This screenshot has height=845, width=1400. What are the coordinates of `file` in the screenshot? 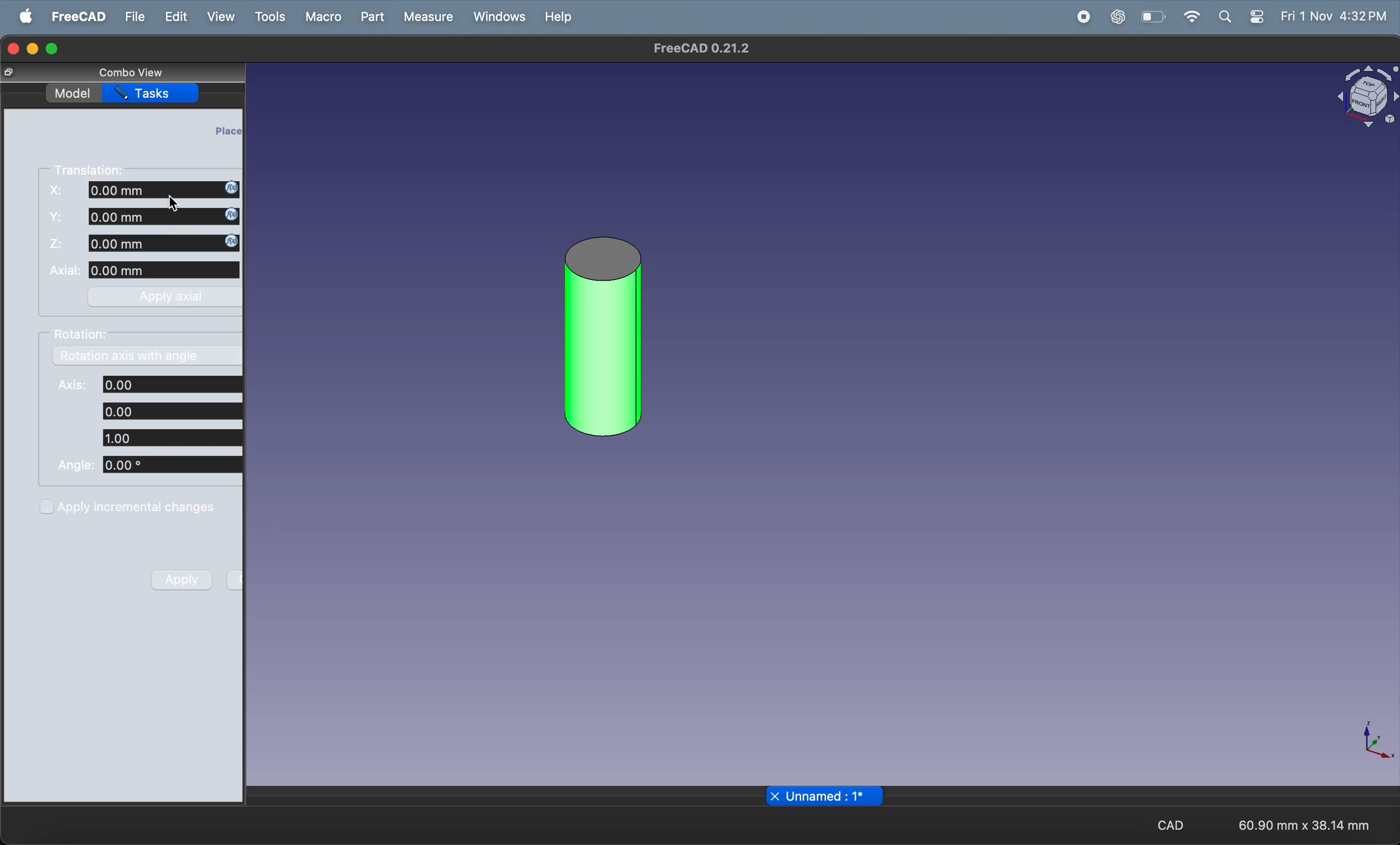 It's located at (132, 17).